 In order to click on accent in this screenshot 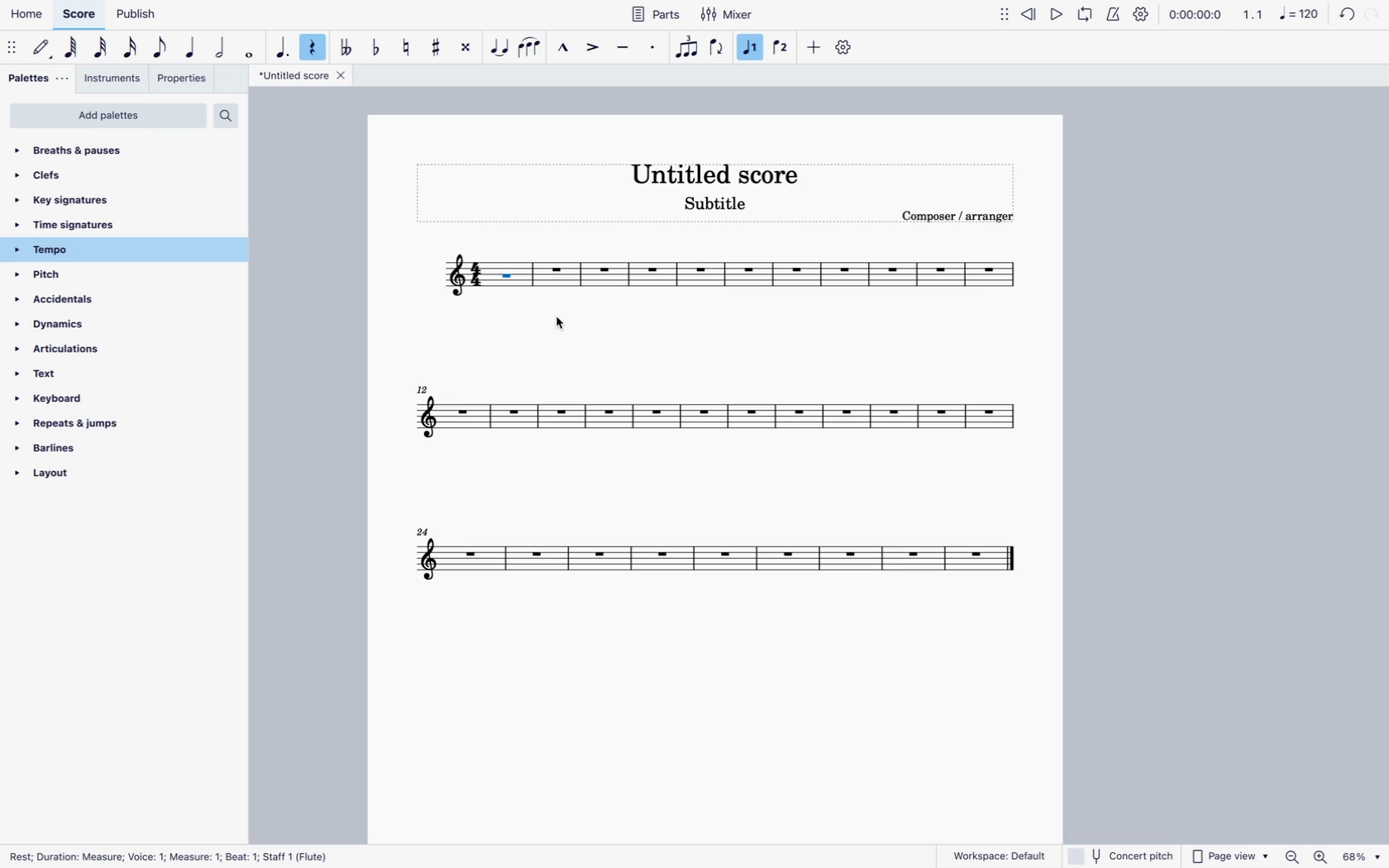, I will do `click(594, 49)`.